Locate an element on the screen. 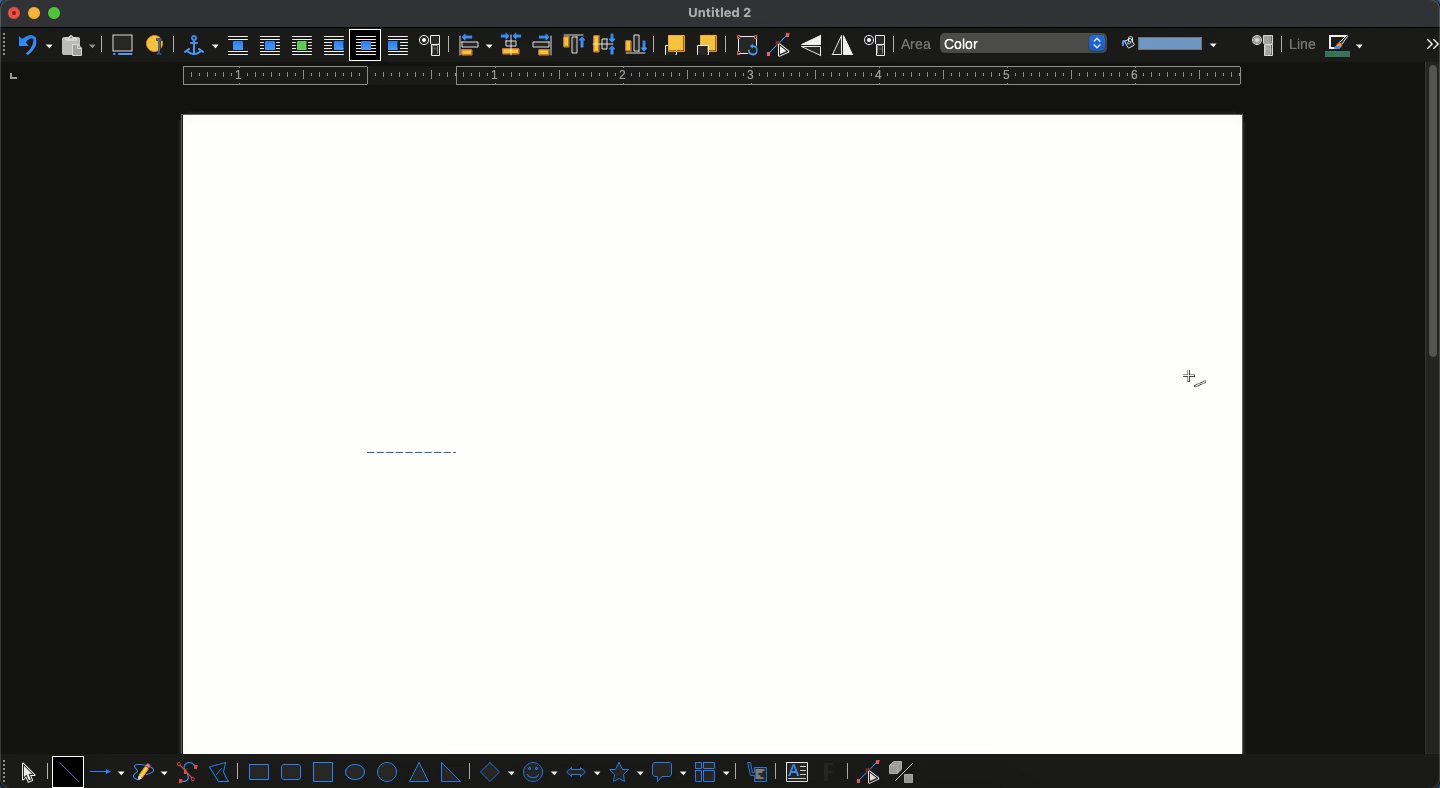 Image resolution: width=1440 pixels, height=788 pixels. isosceles triangle is located at coordinates (421, 773).